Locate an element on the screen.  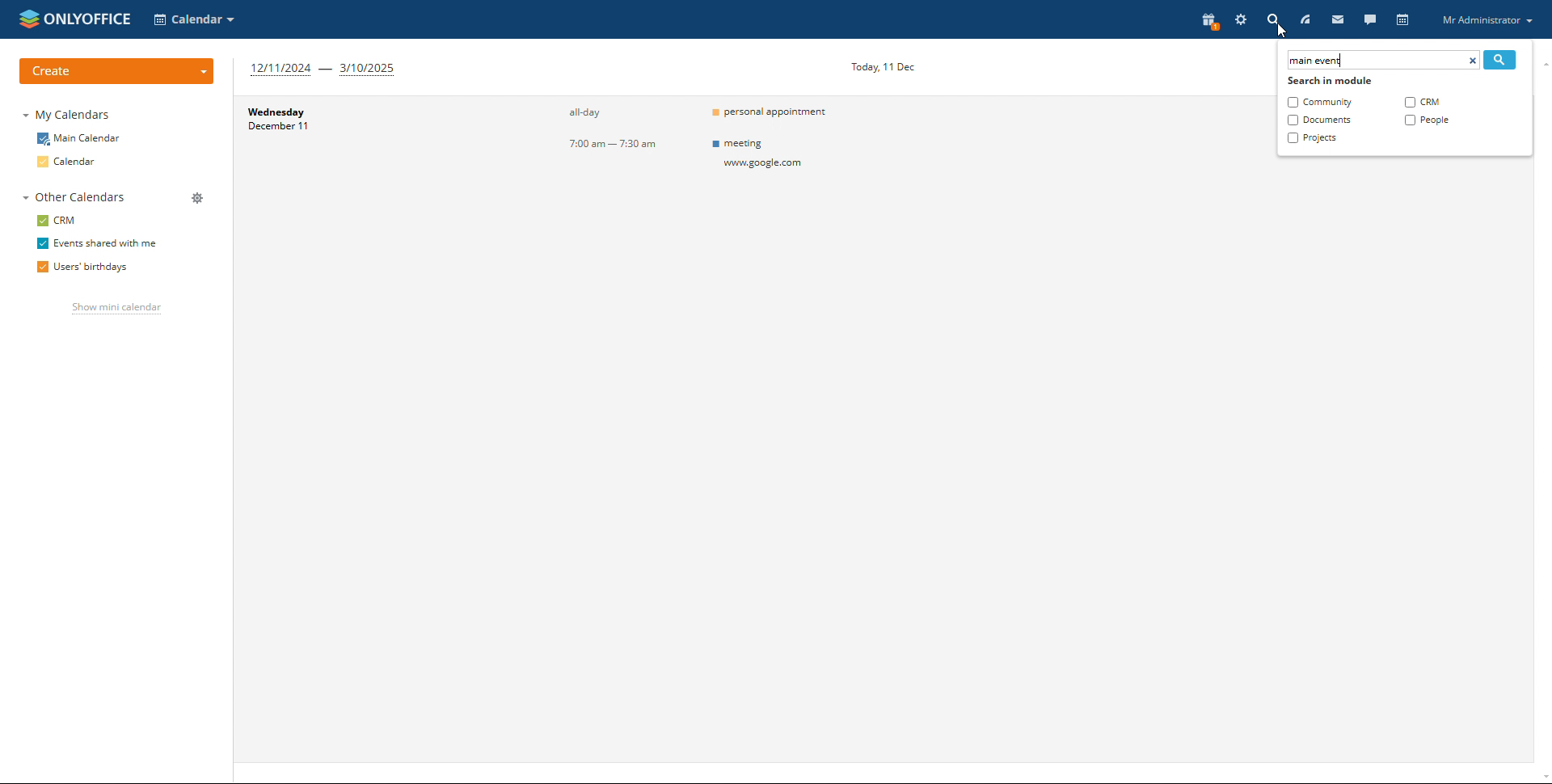
delete search is located at coordinates (1473, 60).